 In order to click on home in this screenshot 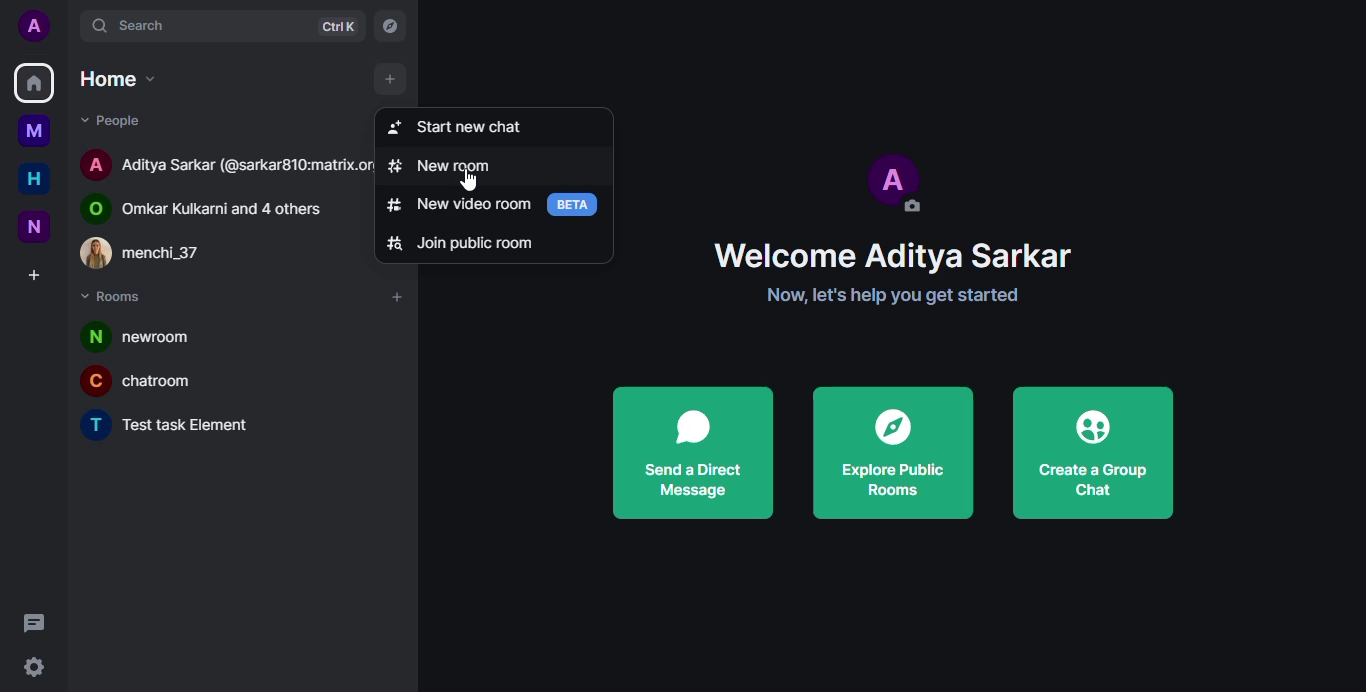, I will do `click(37, 178)`.